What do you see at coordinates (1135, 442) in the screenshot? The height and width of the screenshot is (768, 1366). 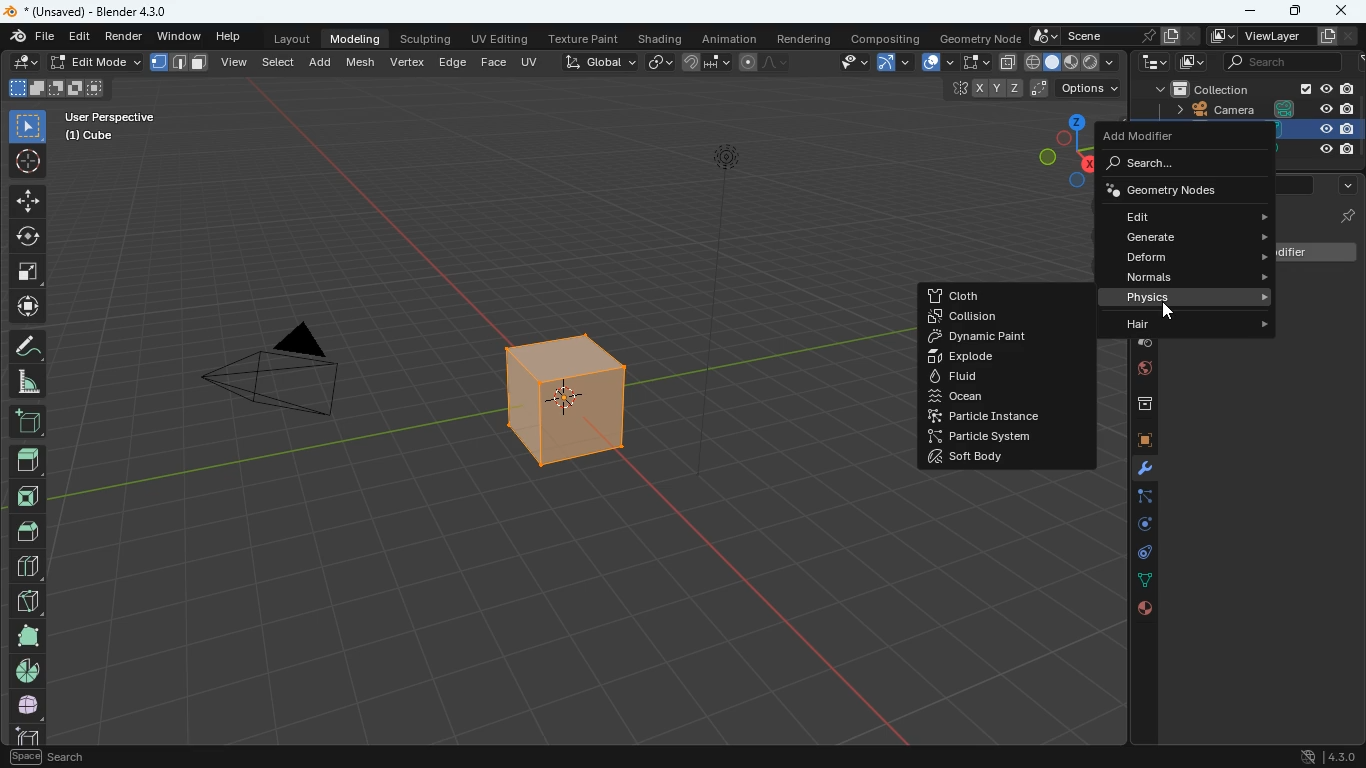 I see `cube` at bounding box center [1135, 442].